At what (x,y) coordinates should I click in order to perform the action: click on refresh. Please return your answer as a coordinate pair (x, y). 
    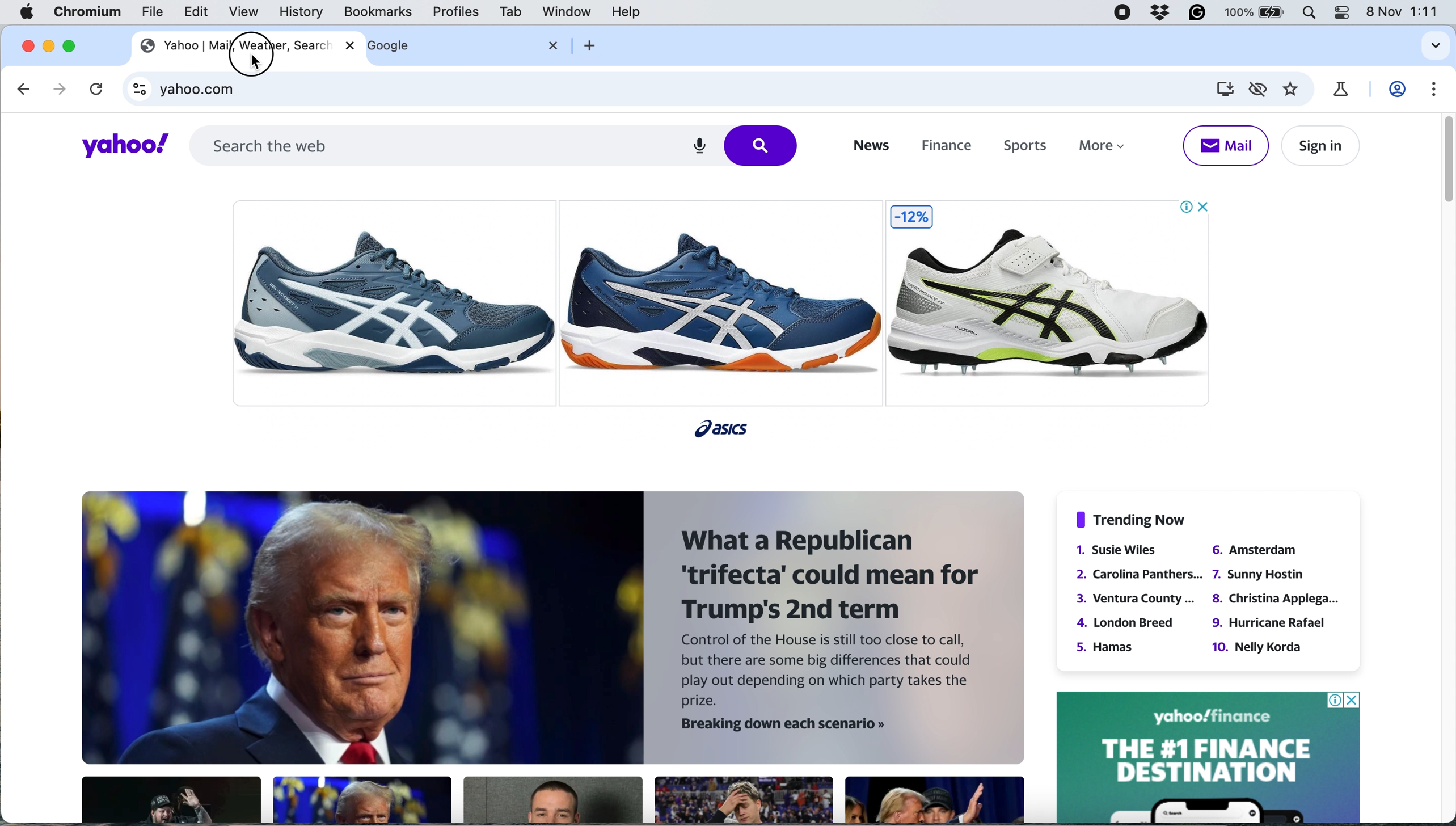
    Looking at the image, I should click on (94, 91).